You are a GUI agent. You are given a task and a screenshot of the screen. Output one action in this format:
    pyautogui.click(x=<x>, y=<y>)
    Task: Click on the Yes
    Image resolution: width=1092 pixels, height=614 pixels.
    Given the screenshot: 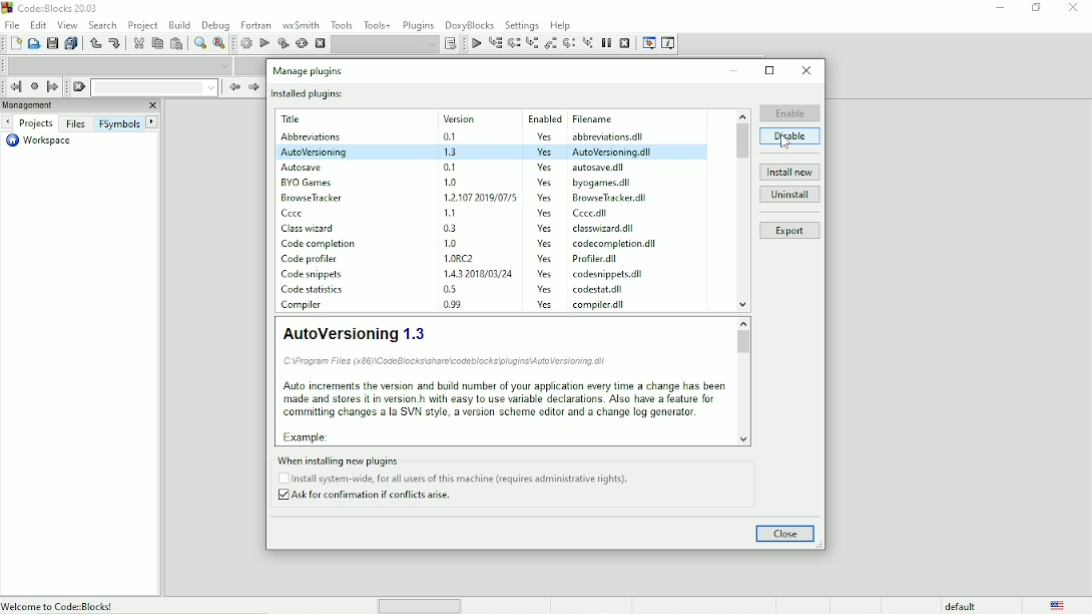 What is the action you would take?
    pyautogui.click(x=540, y=167)
    